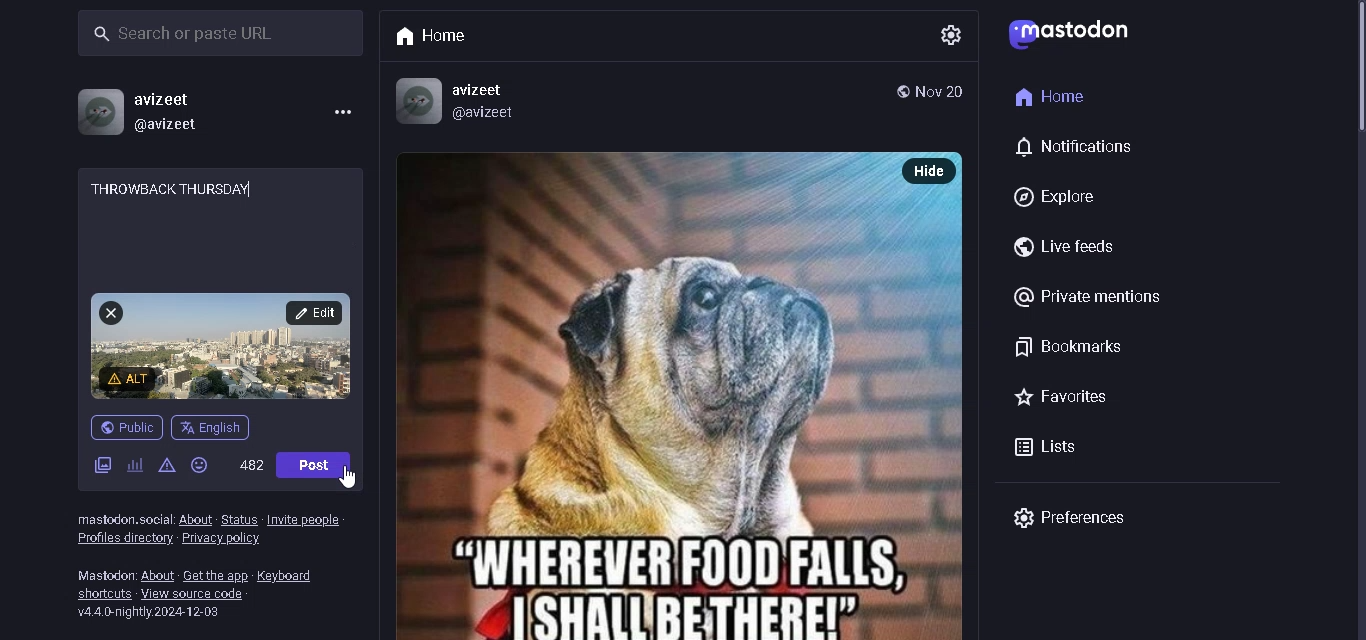 The width and height of the screenshot is (1366, 640). What do you see at coordinates (505, 91) in the screenshot?
I see `avizeet` at bounding box center [505, 91].